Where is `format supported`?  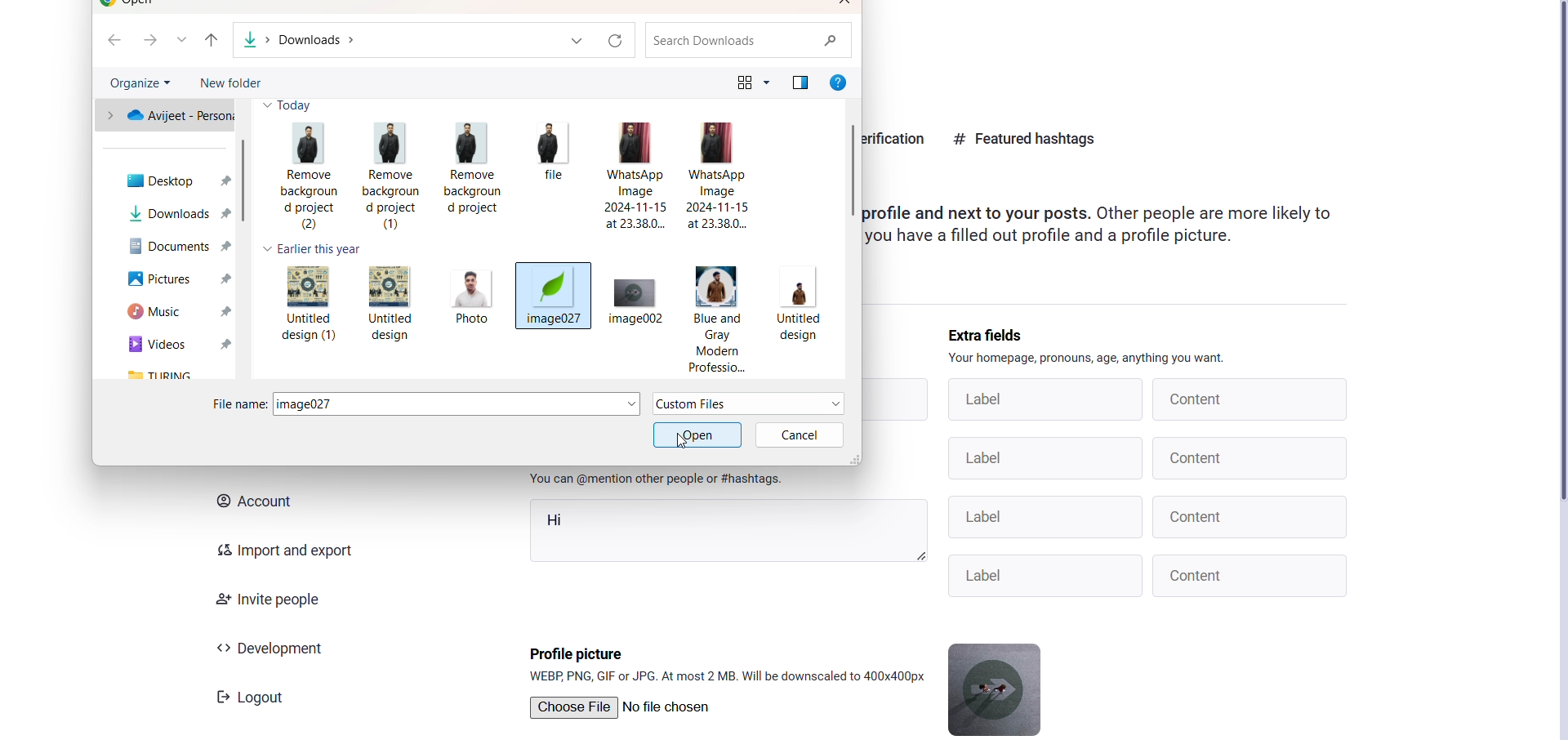
format supported is located at coordinates (729, 676).